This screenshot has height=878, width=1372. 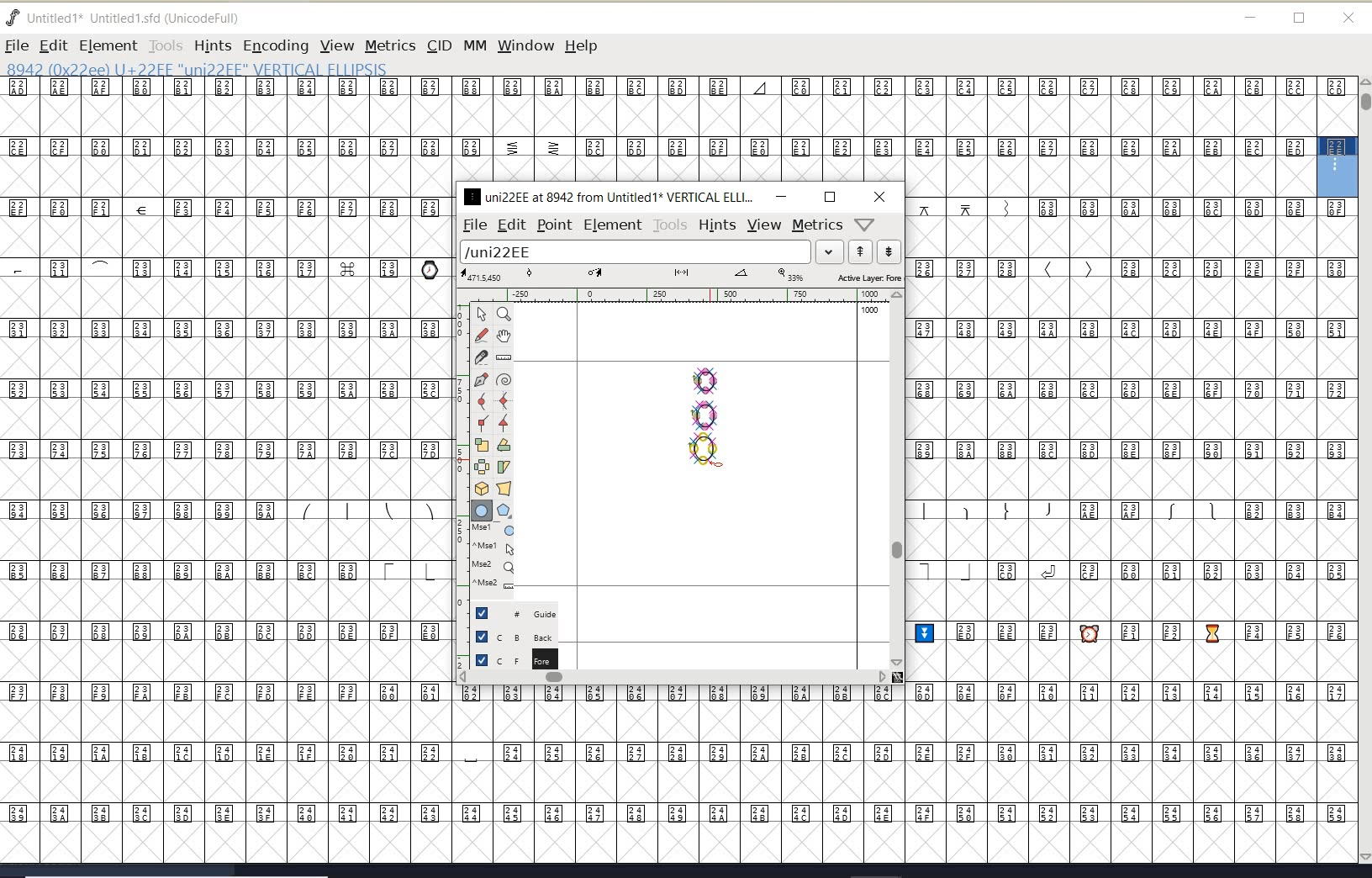 What do you see at coordinates (483, 511) in the screenshot?
I see `rectangle or ellipse` at bounding box center [483, 511].